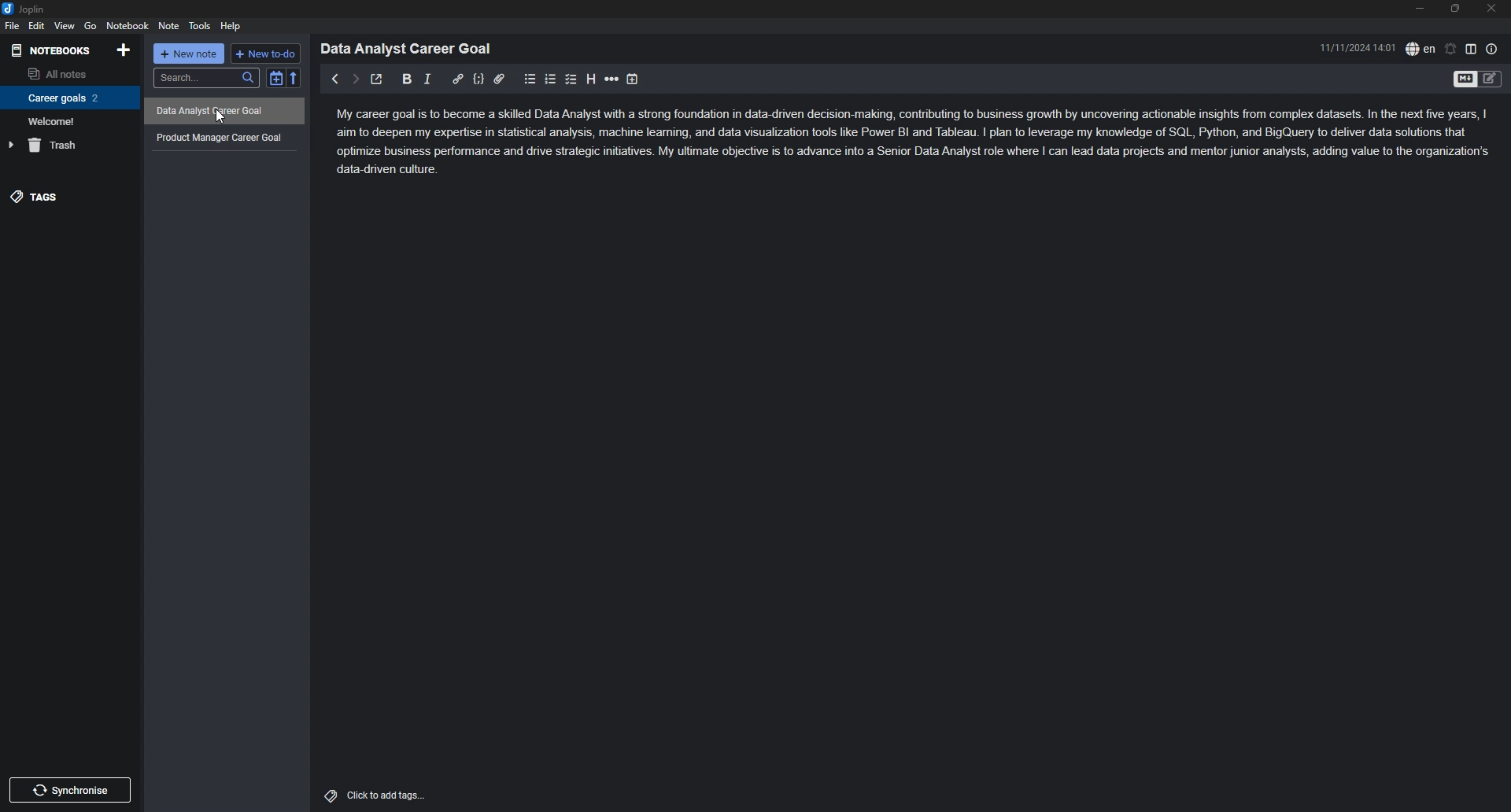 This screenshot has height=812, width=1511. I want to click on bullet list, so click(530, 79).